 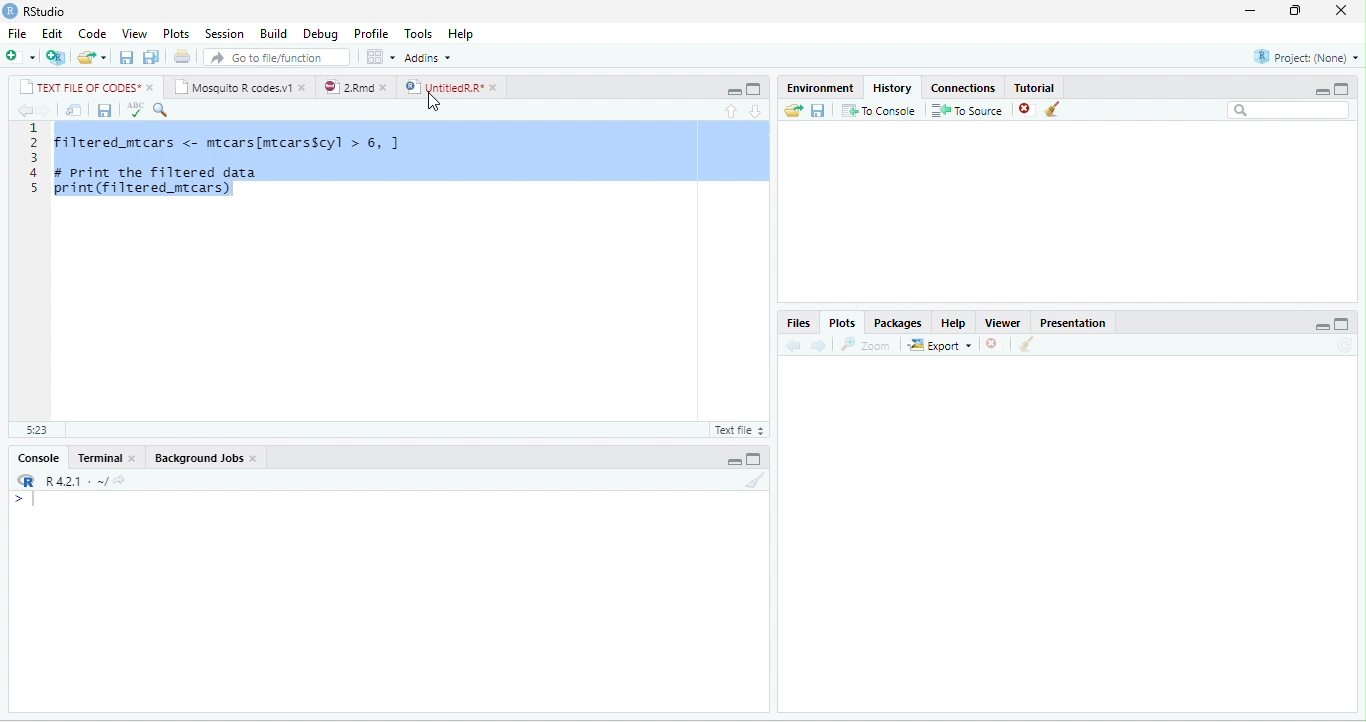 What do you see at coordinates (843, 323) in the screenshot?
I see `Plots` at bounding box center [843, 323].